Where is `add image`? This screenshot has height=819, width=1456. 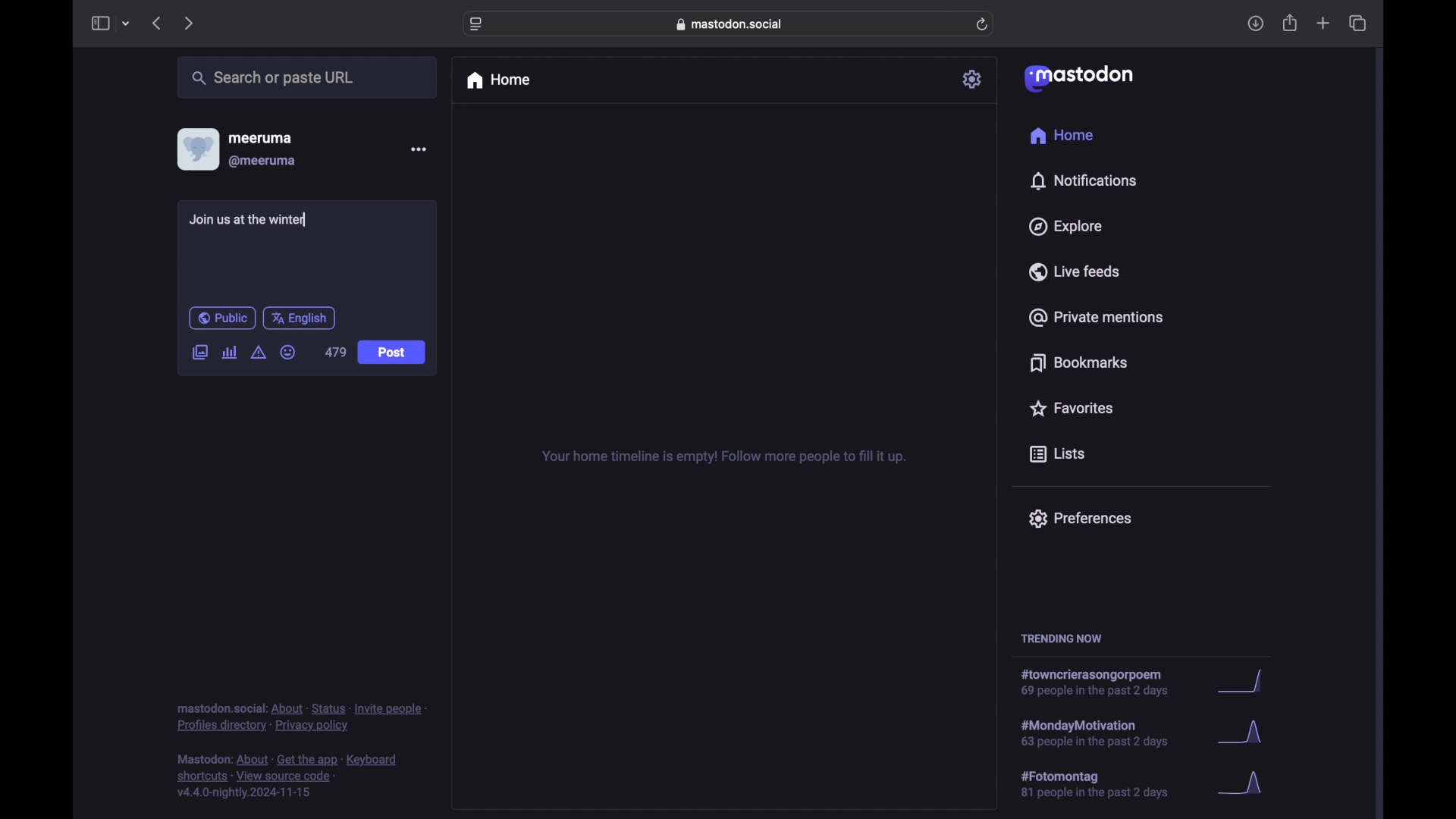 add image is located at coordinates (199, 353).